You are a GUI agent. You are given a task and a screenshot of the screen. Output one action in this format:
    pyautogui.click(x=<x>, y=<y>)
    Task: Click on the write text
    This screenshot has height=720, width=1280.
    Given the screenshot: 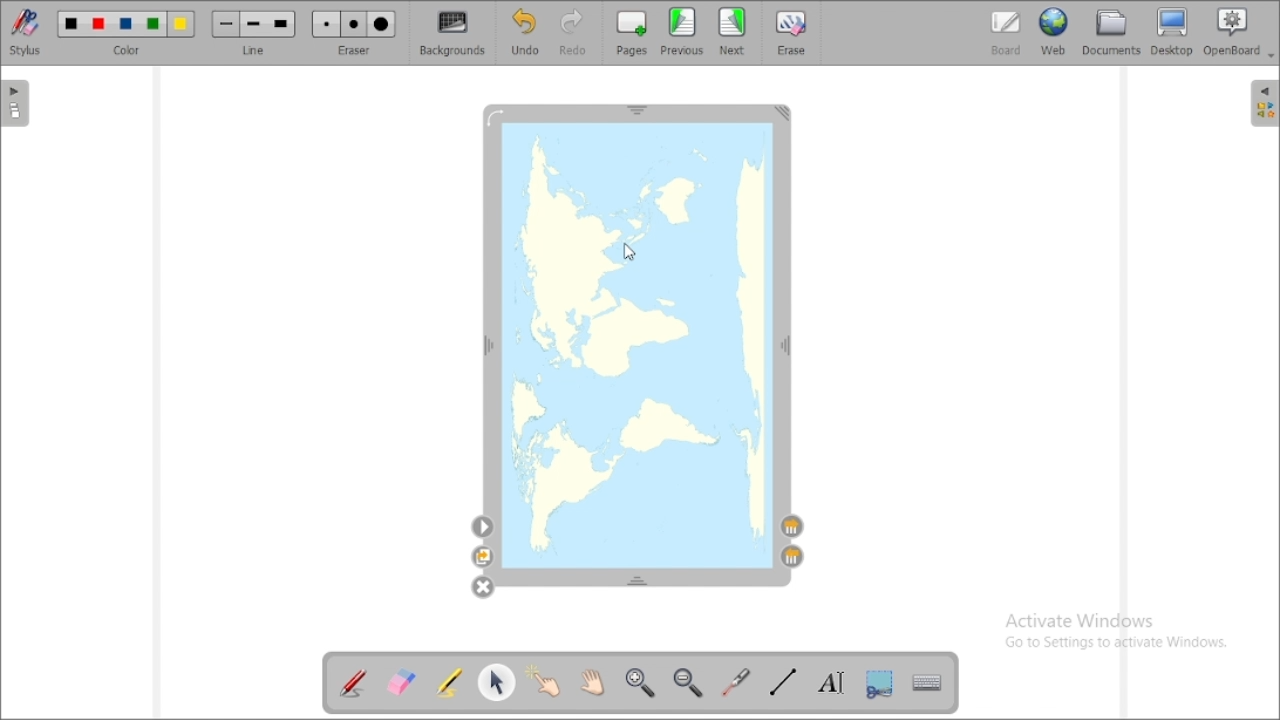 What is the action you would take?
    pyautogui.click(x=832, y=683)
    